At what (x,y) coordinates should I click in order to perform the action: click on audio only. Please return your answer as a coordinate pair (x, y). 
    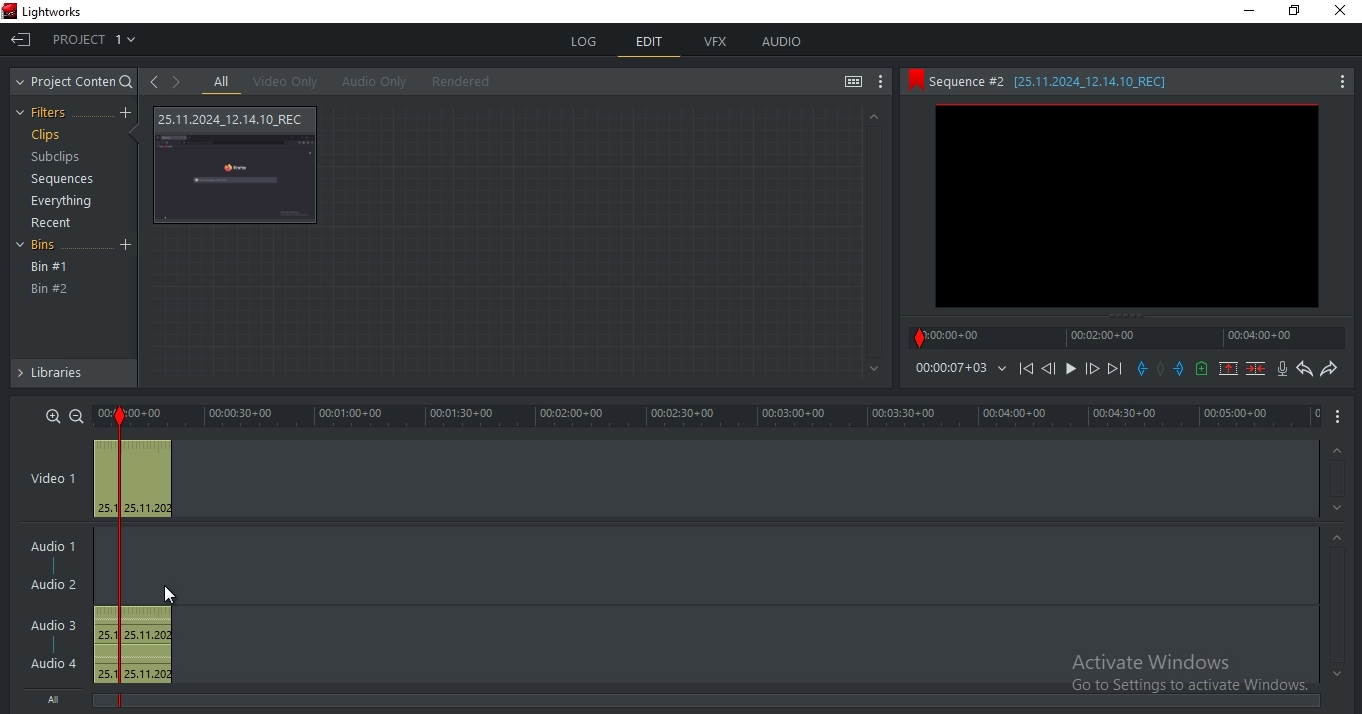
    Looking at the image, I should click on (371, 82).